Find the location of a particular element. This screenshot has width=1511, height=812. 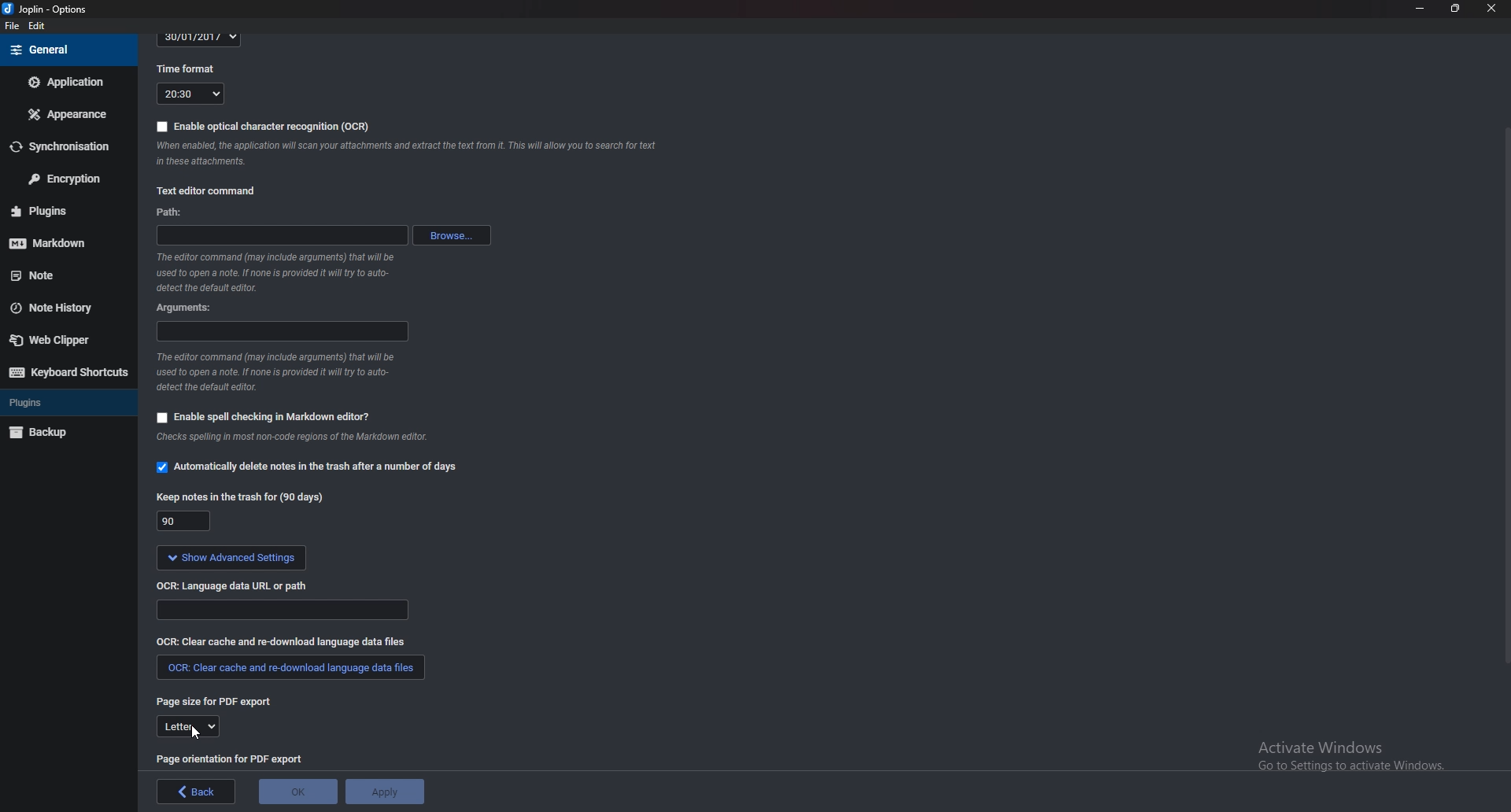

Plugins is located at coordinates (61, 210).